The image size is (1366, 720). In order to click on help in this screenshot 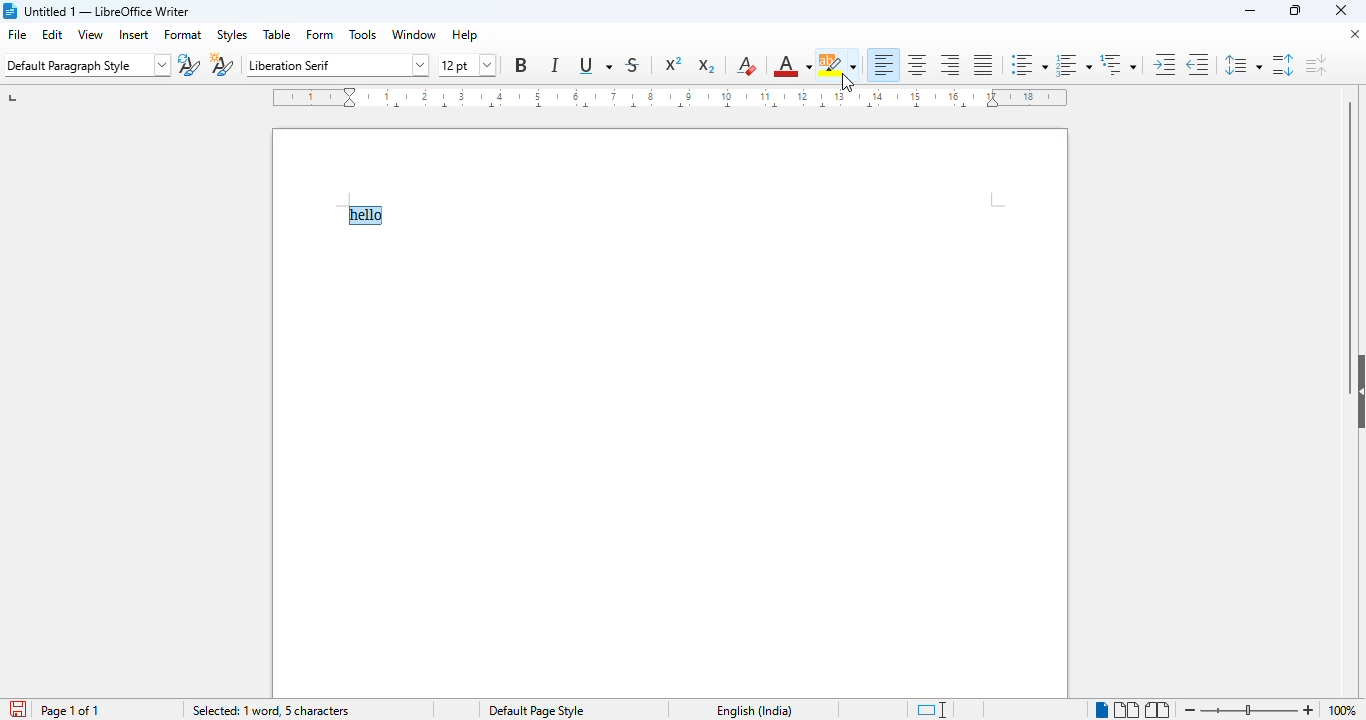, I will do `click(465, 35)`.